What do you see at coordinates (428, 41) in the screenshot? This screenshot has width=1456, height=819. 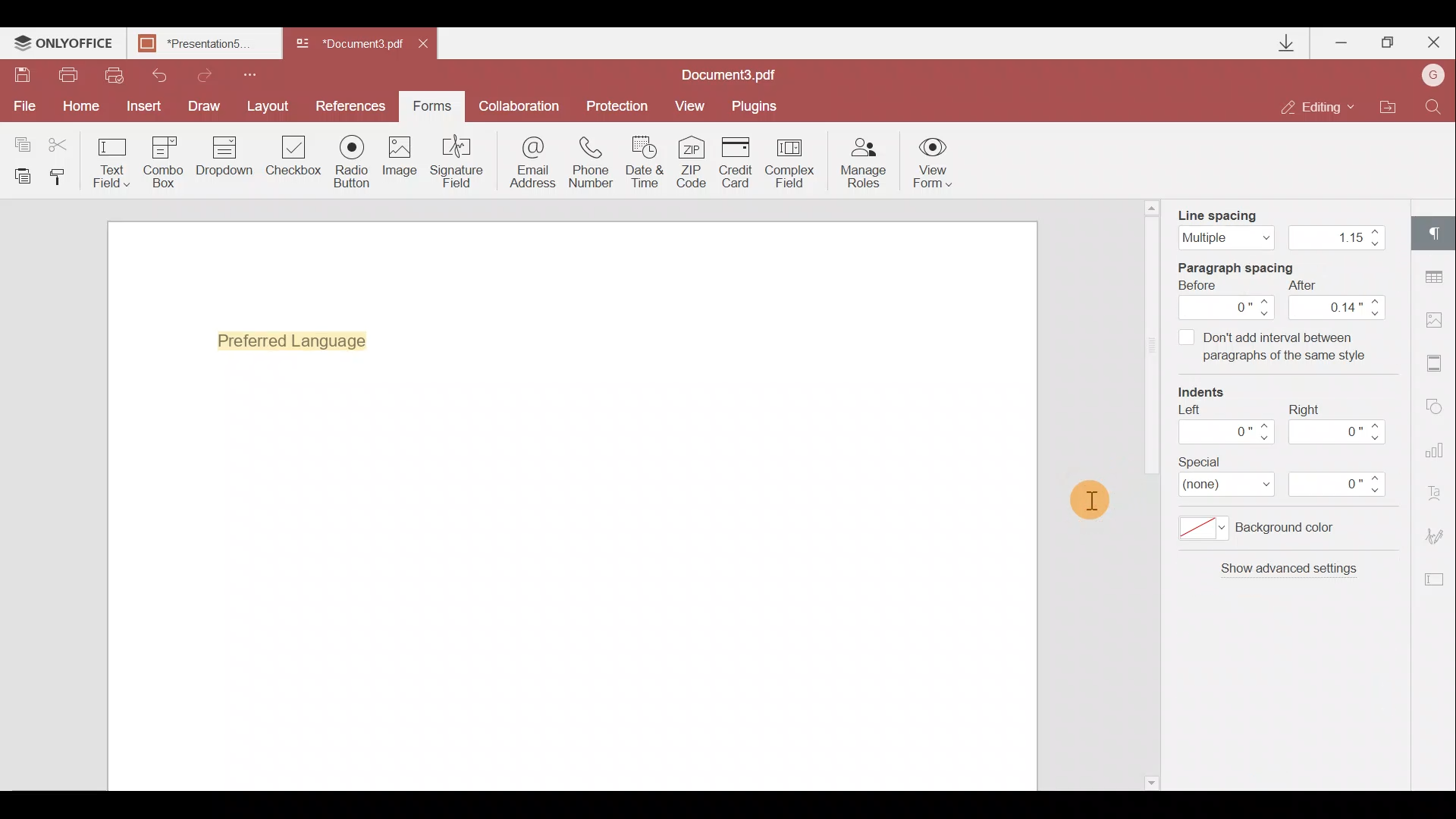 I see `Close` at bounding box center [428, 41].